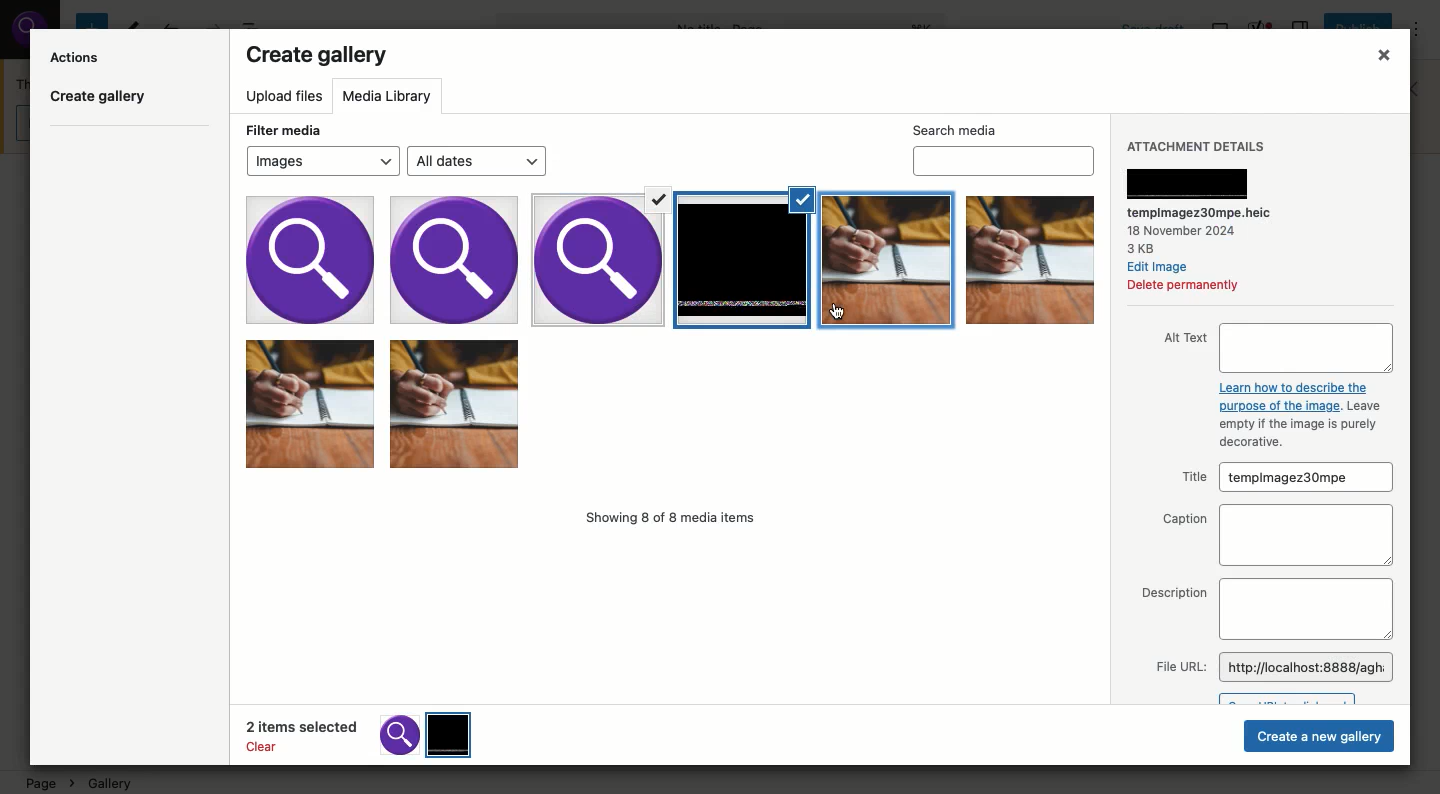 This screenshot has width=1440, height=794. Describe the element at coordinates (1300, 478) in the screenshot. I see `templmagez30mpe` at that location.